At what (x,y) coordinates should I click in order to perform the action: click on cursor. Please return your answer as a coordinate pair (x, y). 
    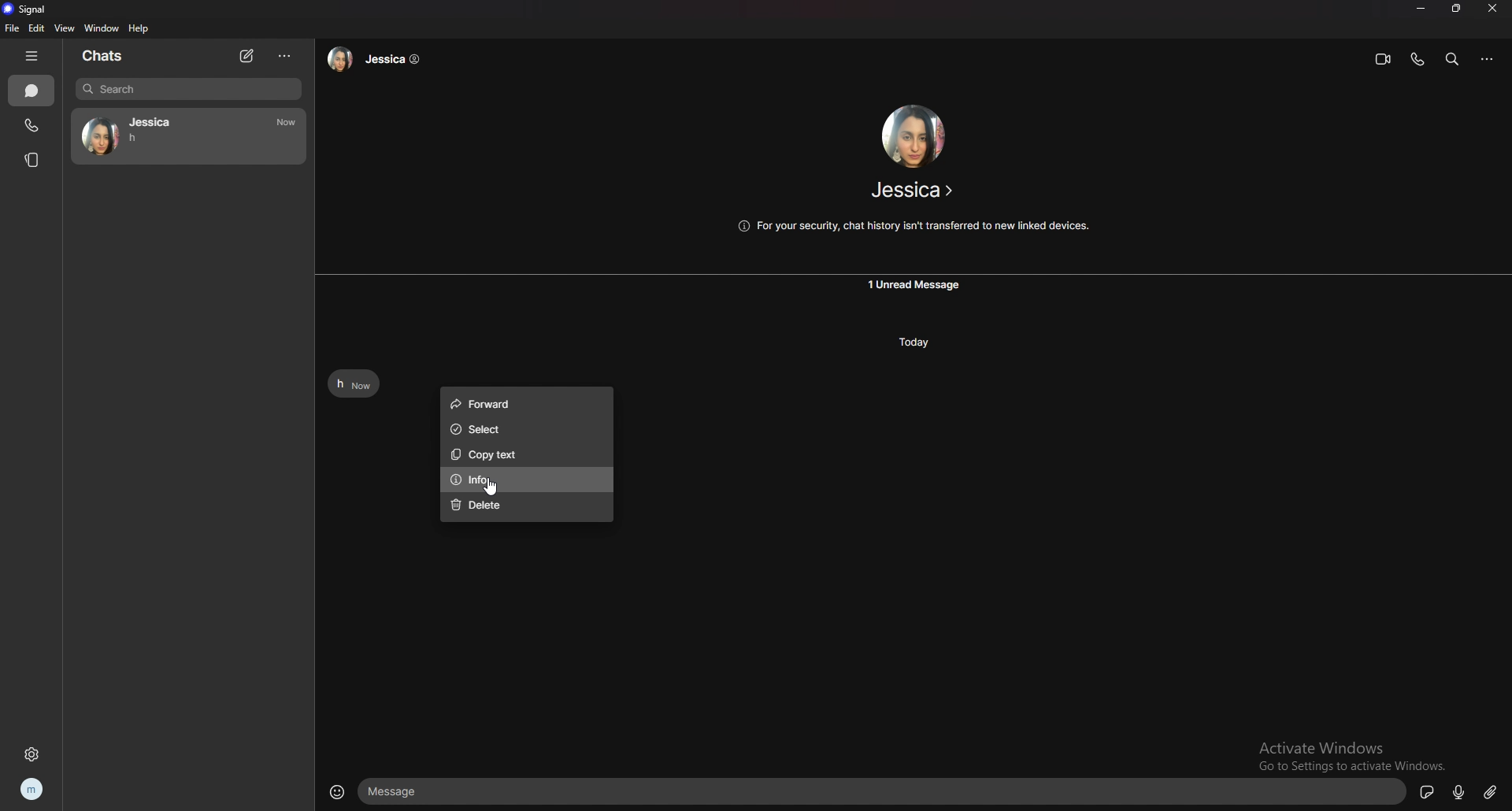
    Looking at the image, I should click on (498, 487).